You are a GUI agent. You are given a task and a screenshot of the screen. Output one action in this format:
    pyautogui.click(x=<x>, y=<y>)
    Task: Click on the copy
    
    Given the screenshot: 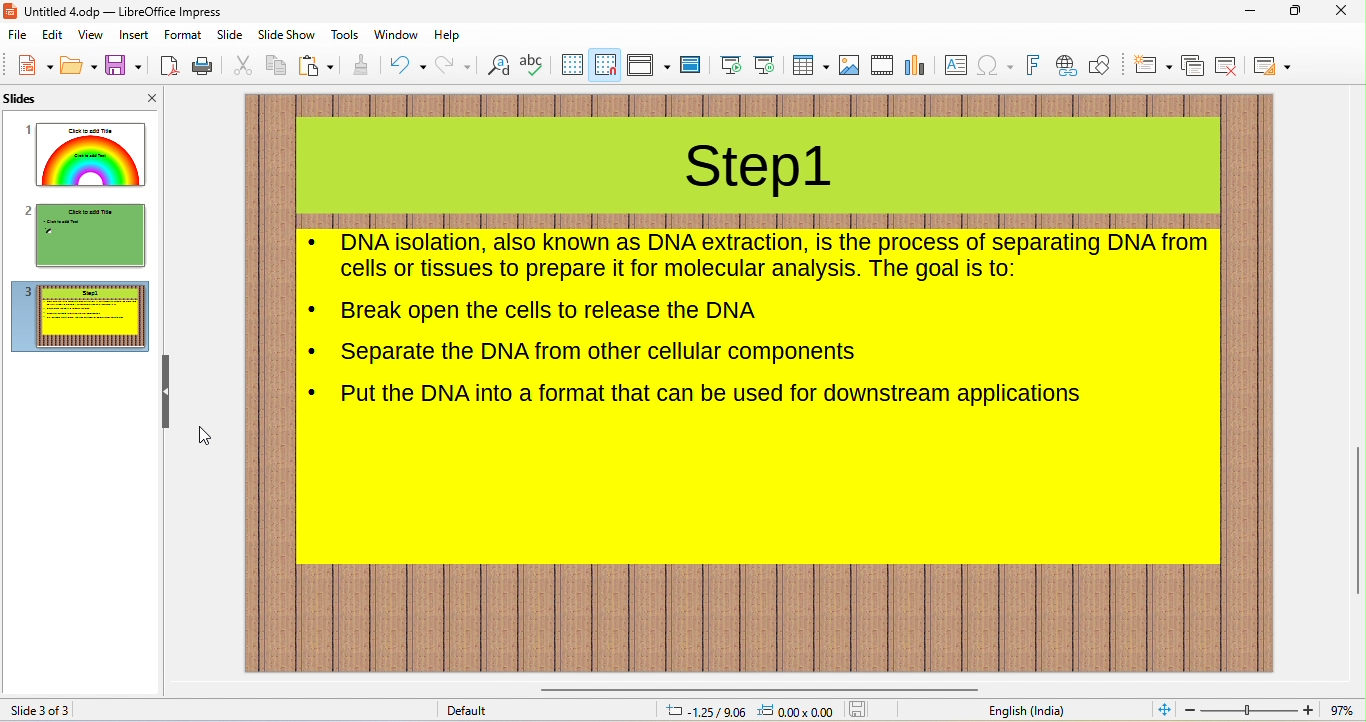 What is the action you would take?
    pyautogui.click(x=273, y=64)
    